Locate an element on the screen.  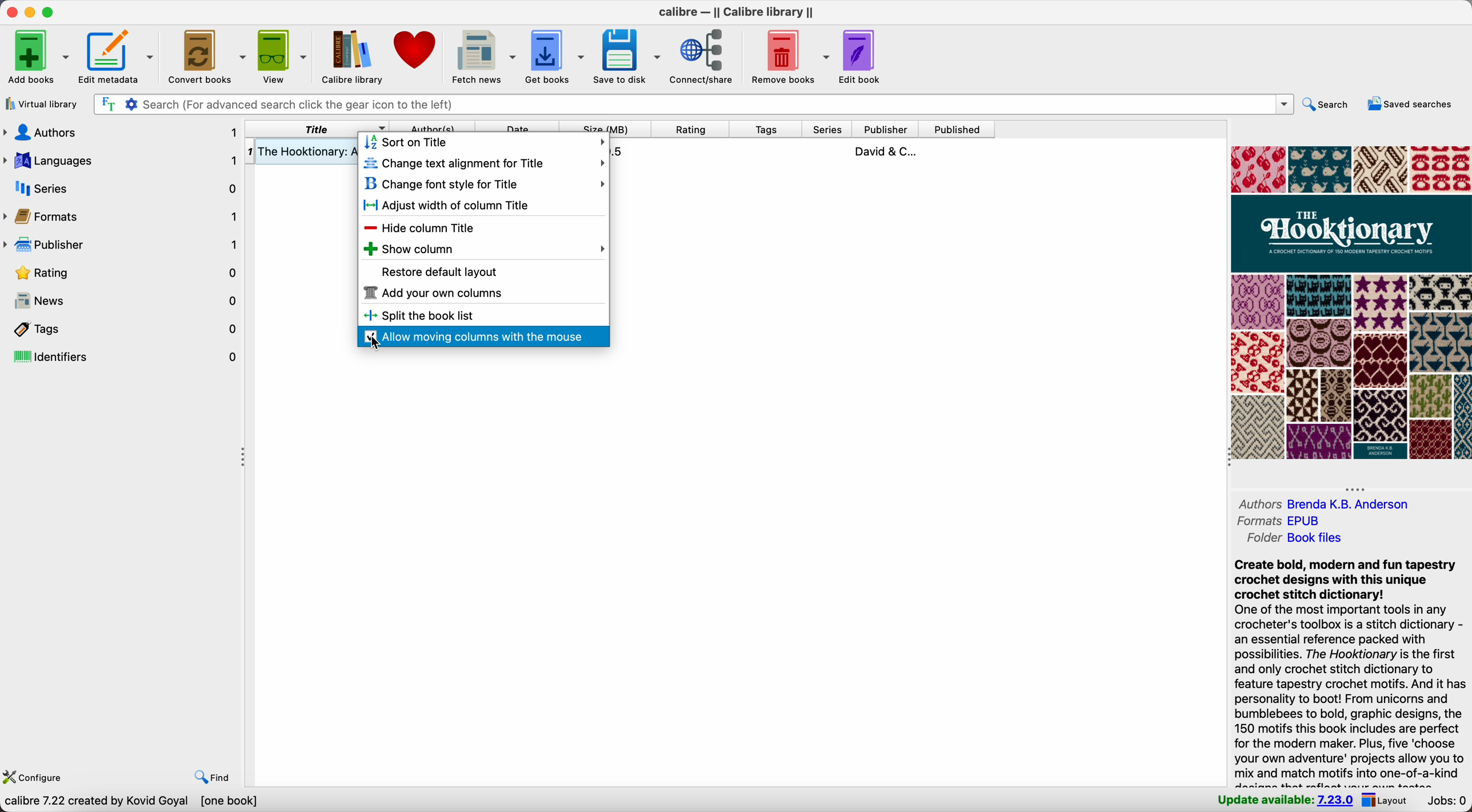
connect/share is located at coordinates (703, 56).